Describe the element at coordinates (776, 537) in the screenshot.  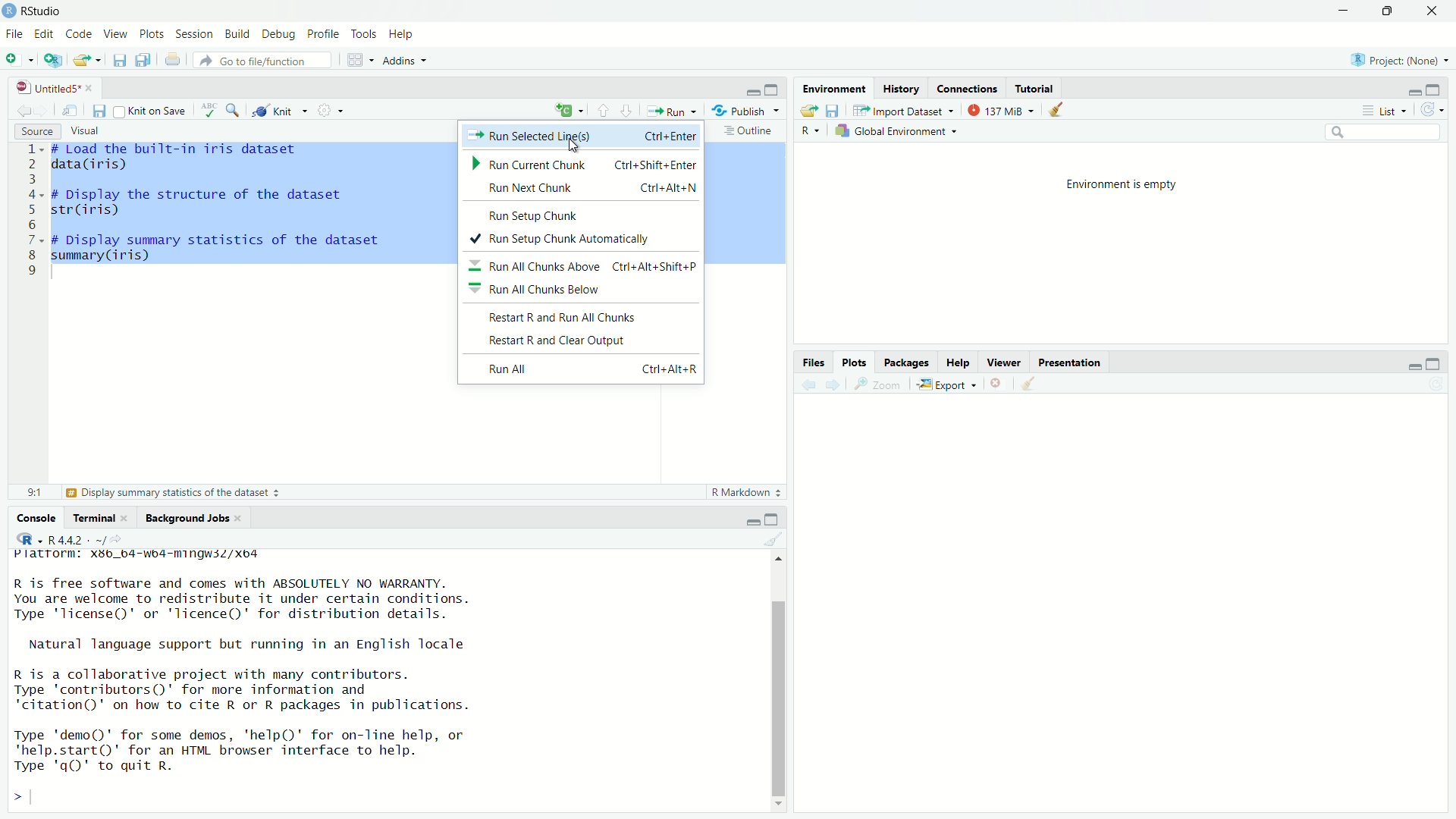
I see `Clear` at that location.